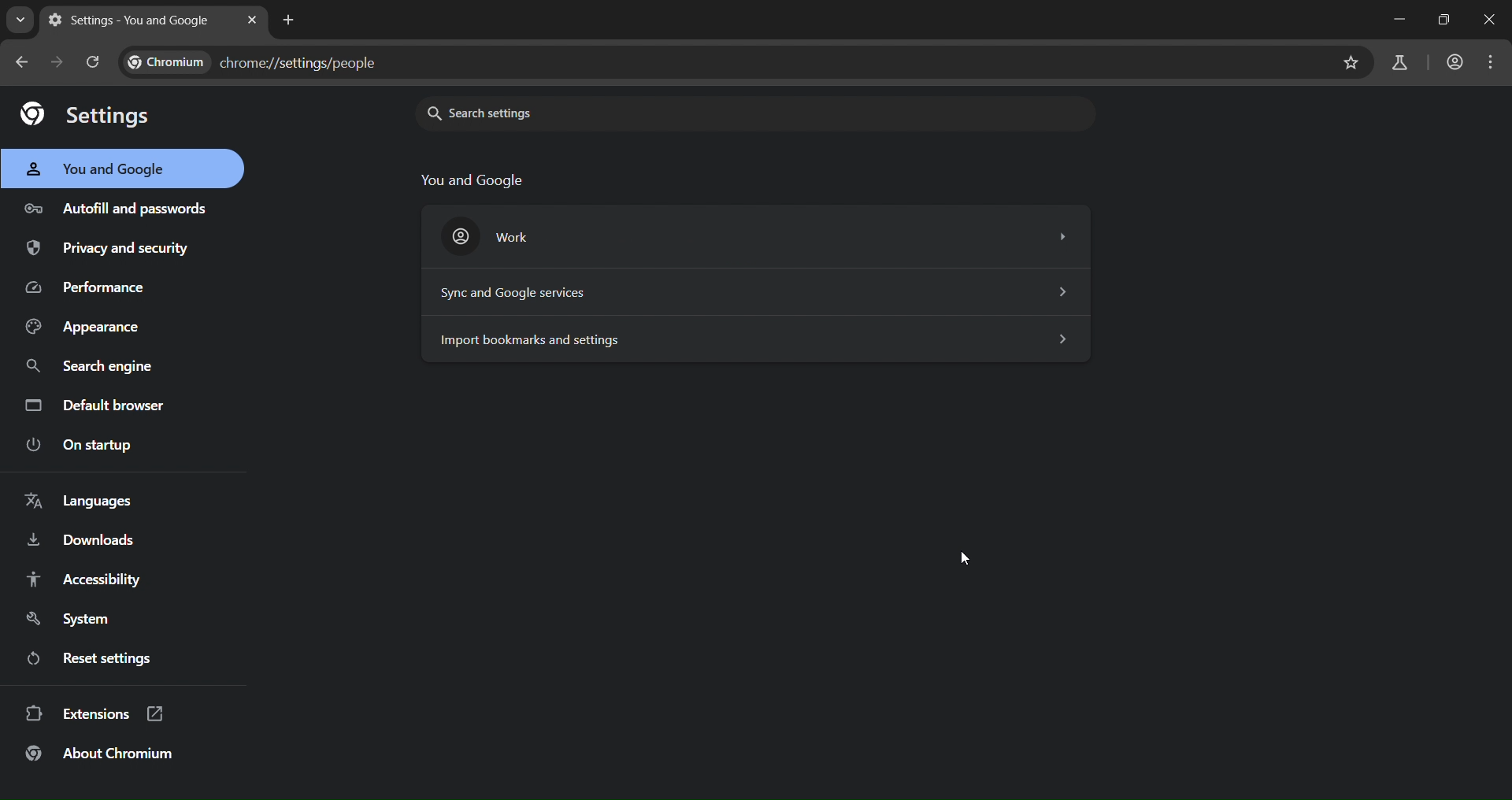  I want to click on close, so click(1490, 20).